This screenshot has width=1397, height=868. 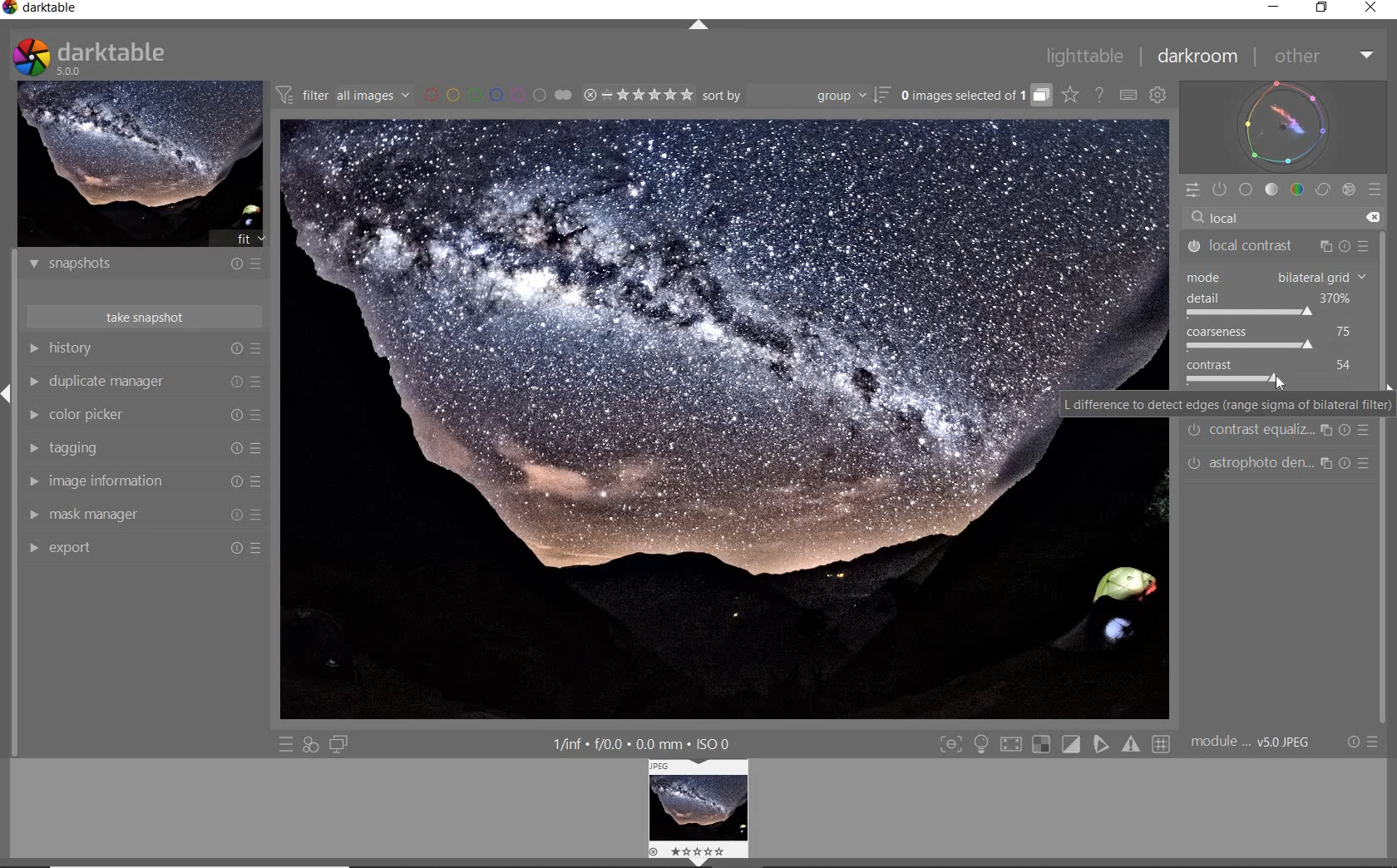 I want to click on RESTORE, so click(x=1323, y=8).